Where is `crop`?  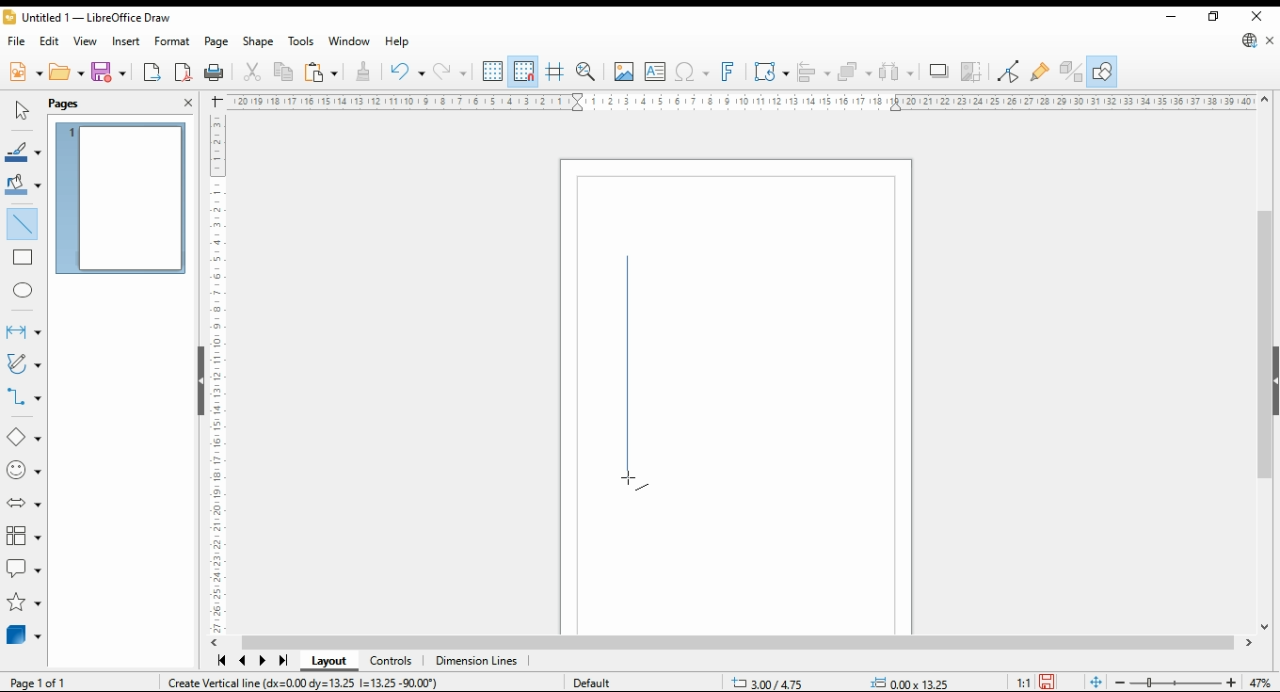
crop is located at coordinates (972, 71).